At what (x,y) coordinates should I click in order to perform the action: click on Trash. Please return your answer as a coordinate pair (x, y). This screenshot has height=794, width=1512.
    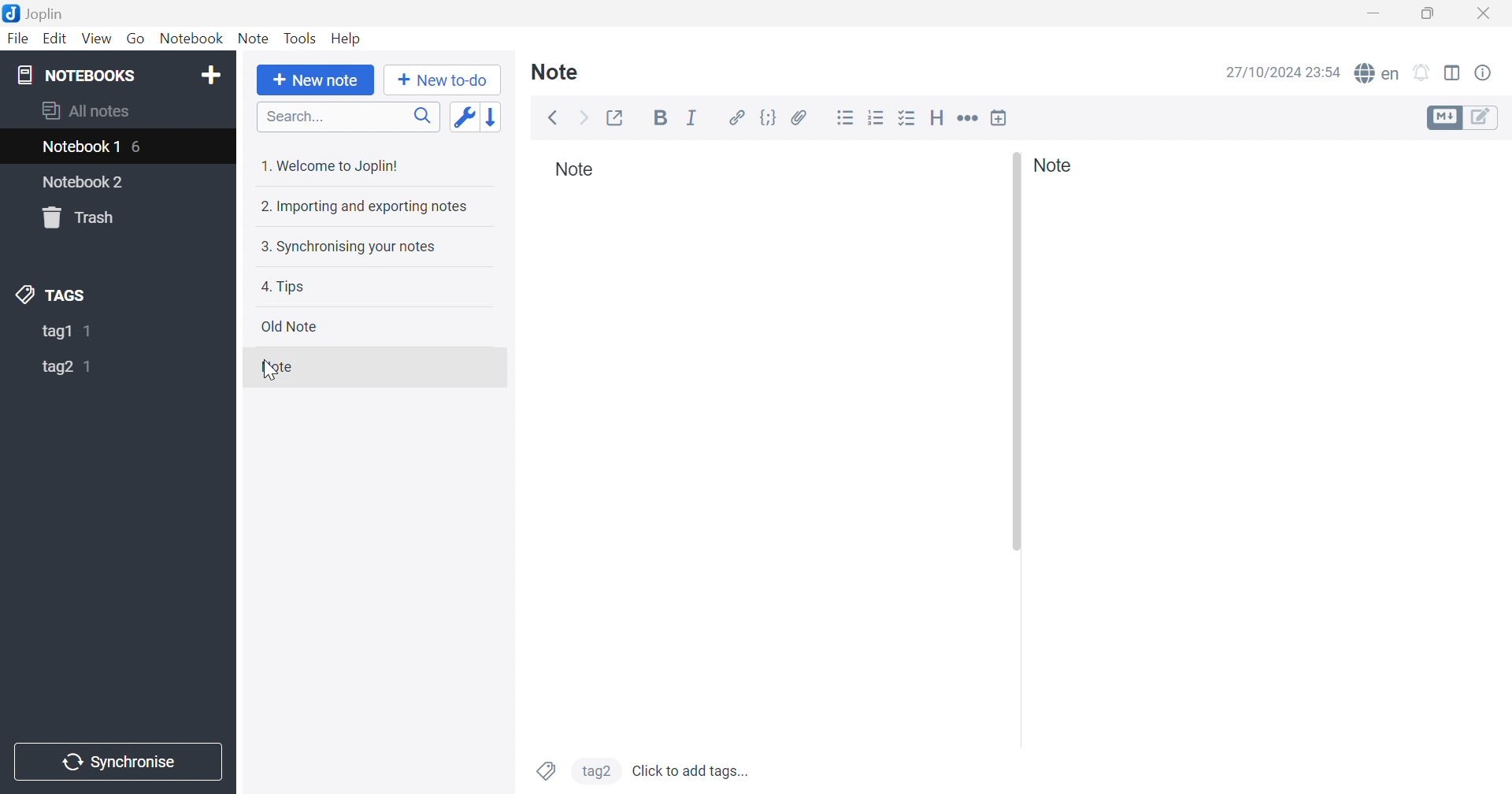
    Looking at the image, I should click on (83, 217).